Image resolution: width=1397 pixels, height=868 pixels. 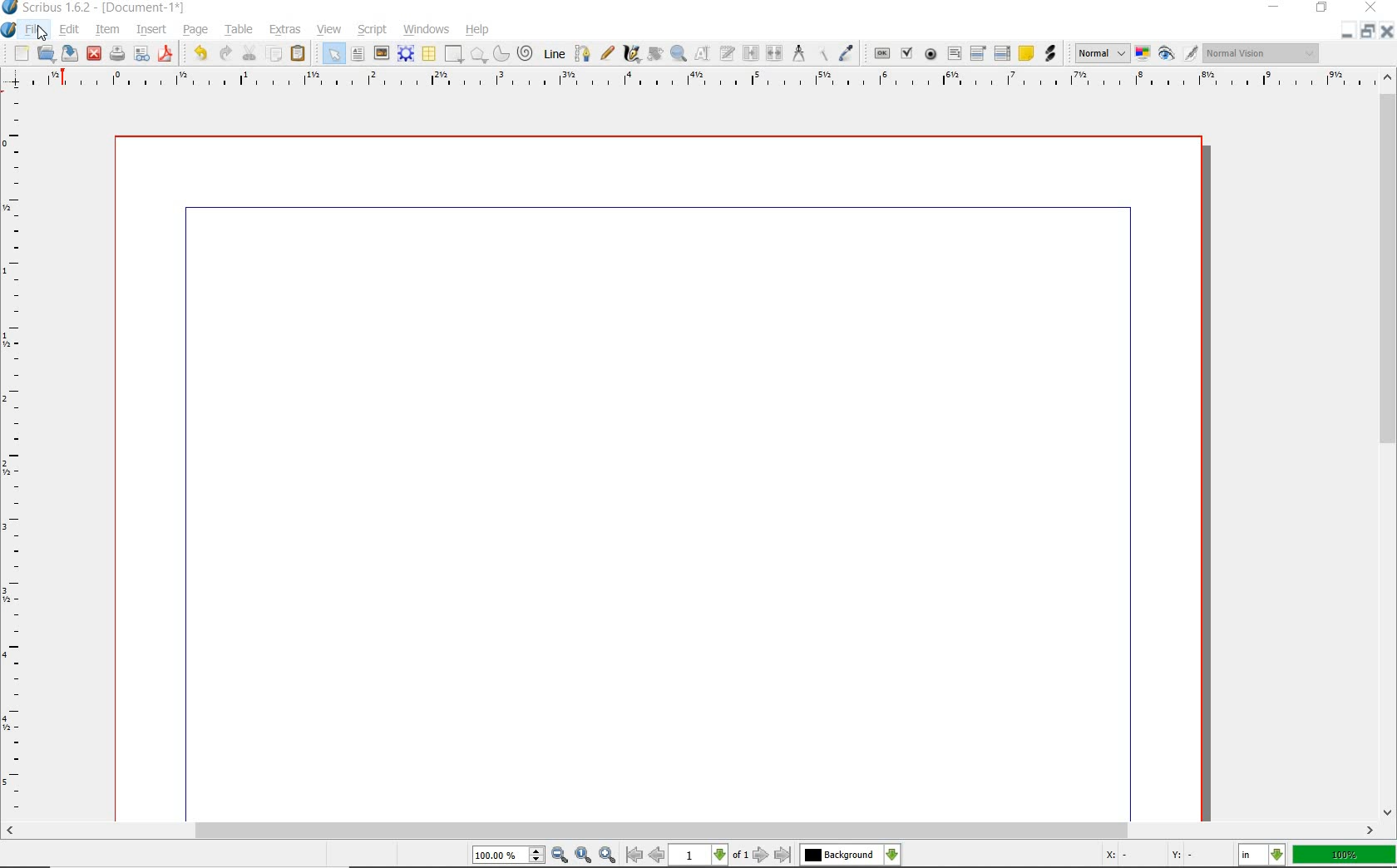 What do you see at coordinates (330, 28) in the screenshot?
I see `view` at bounding box center [330, 28].